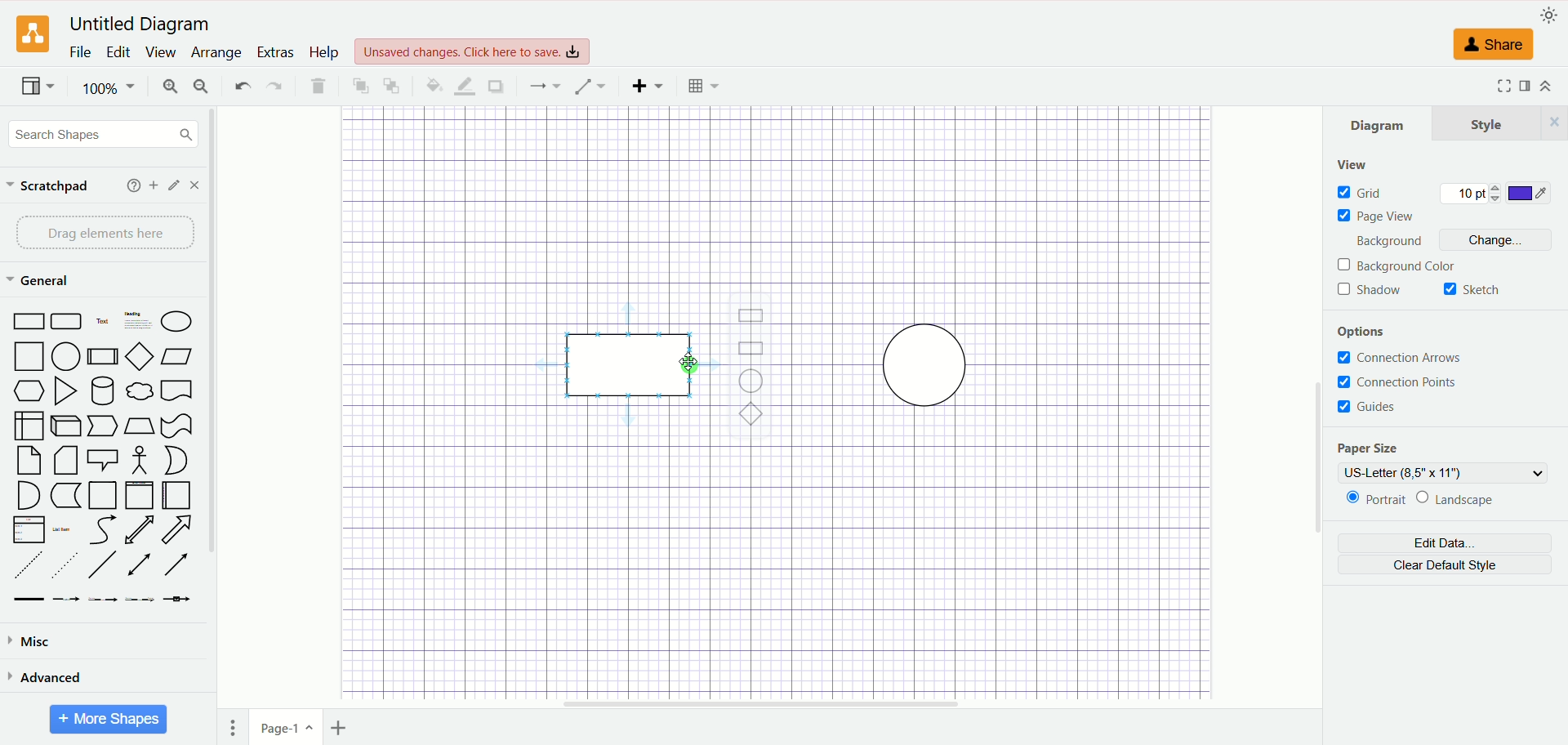 The image size is (1568, 745). Describe the element at coordinates (140, 495) in the screenshot. I see `Vertical Page` at that location.